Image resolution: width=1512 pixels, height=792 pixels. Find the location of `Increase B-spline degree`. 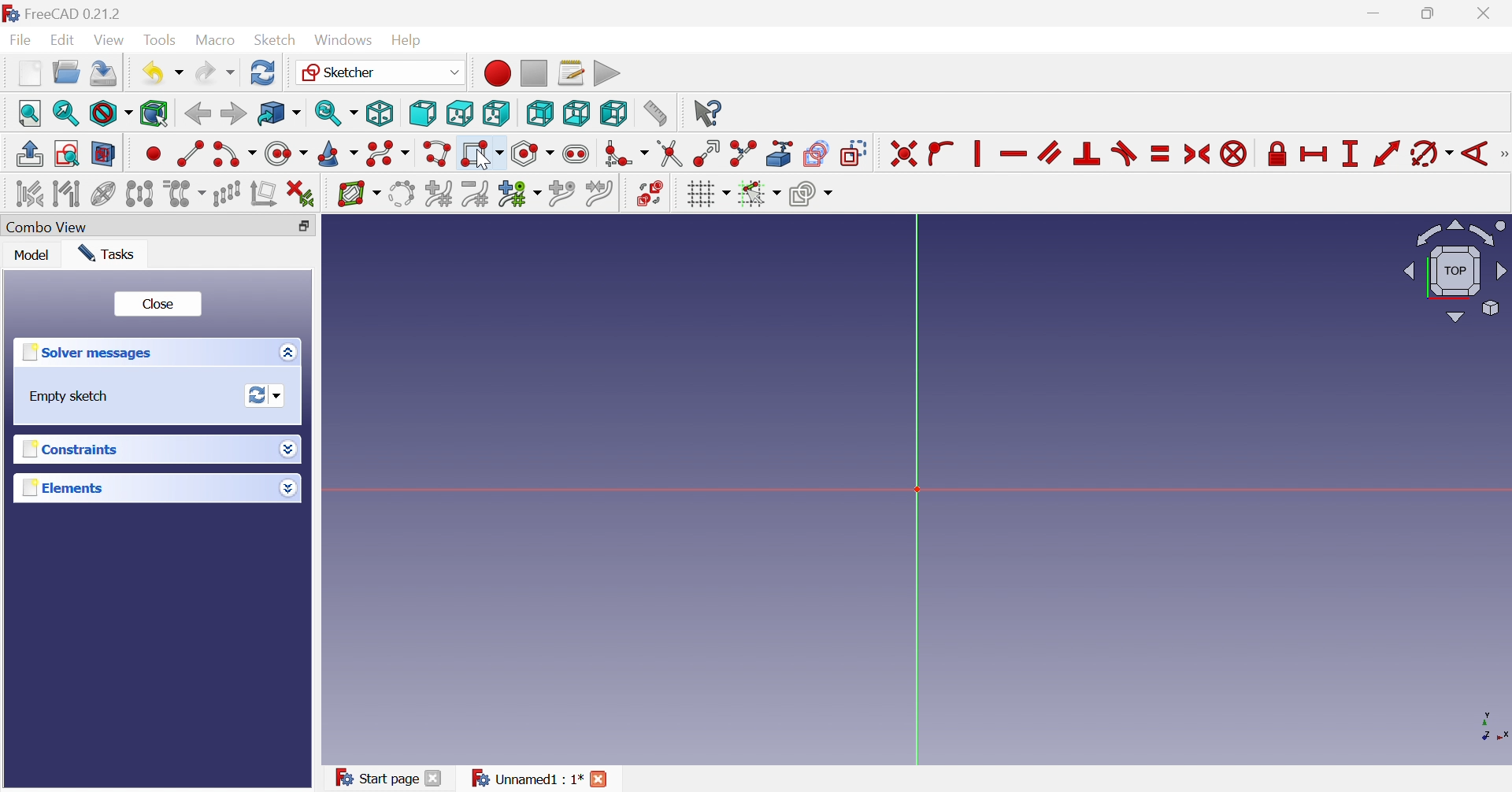

Increase B-spline degree is located at coordinates (438, 193).